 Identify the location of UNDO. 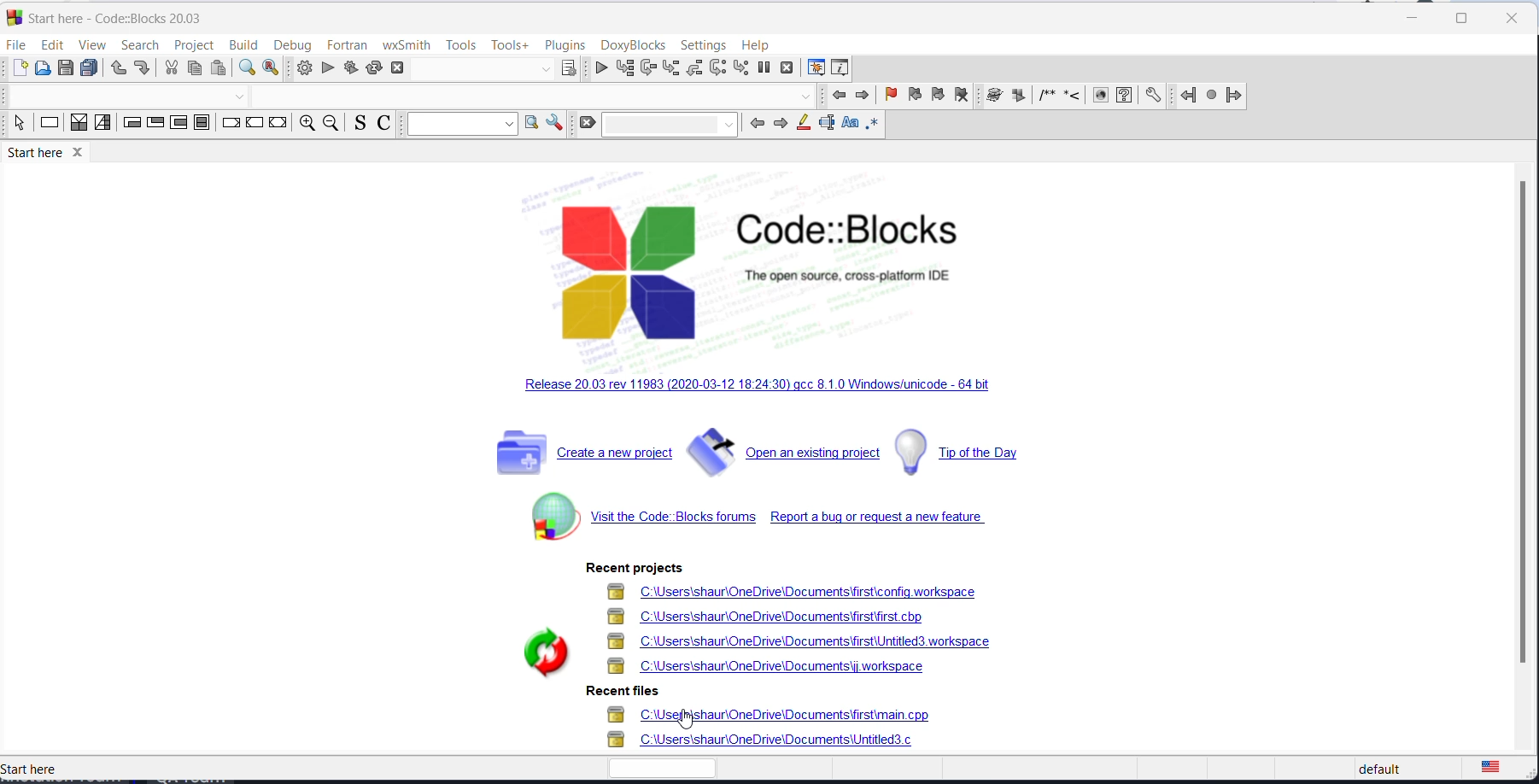
(117, 67).